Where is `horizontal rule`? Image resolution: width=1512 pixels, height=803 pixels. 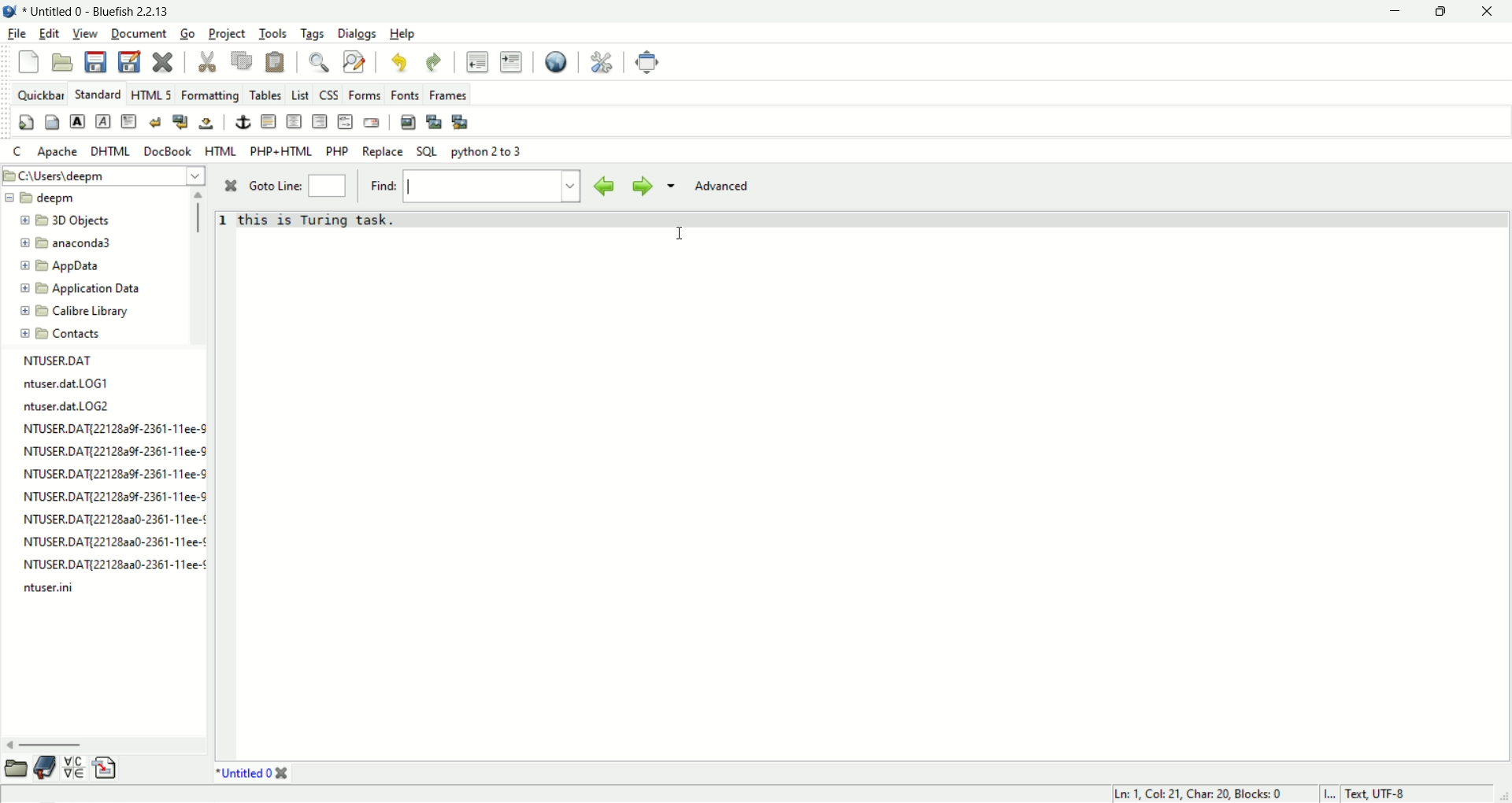
horizontal rule is located at coordinates (268, 121).